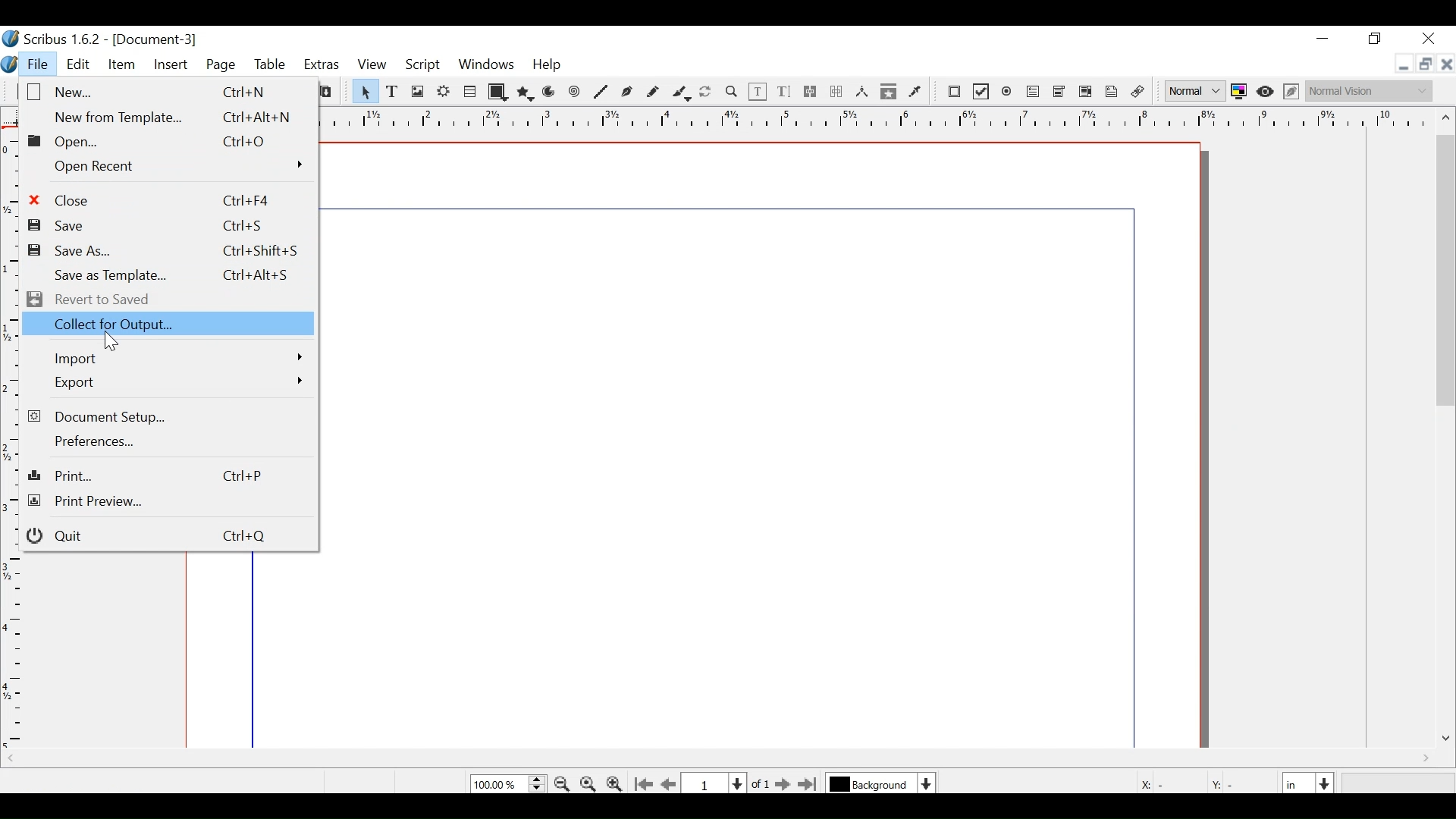 The image size is (1456, 819). What do you see at coordinates (1325, 42) in the screenshot?
I see `minimize` at bounding box center [1325, 42].